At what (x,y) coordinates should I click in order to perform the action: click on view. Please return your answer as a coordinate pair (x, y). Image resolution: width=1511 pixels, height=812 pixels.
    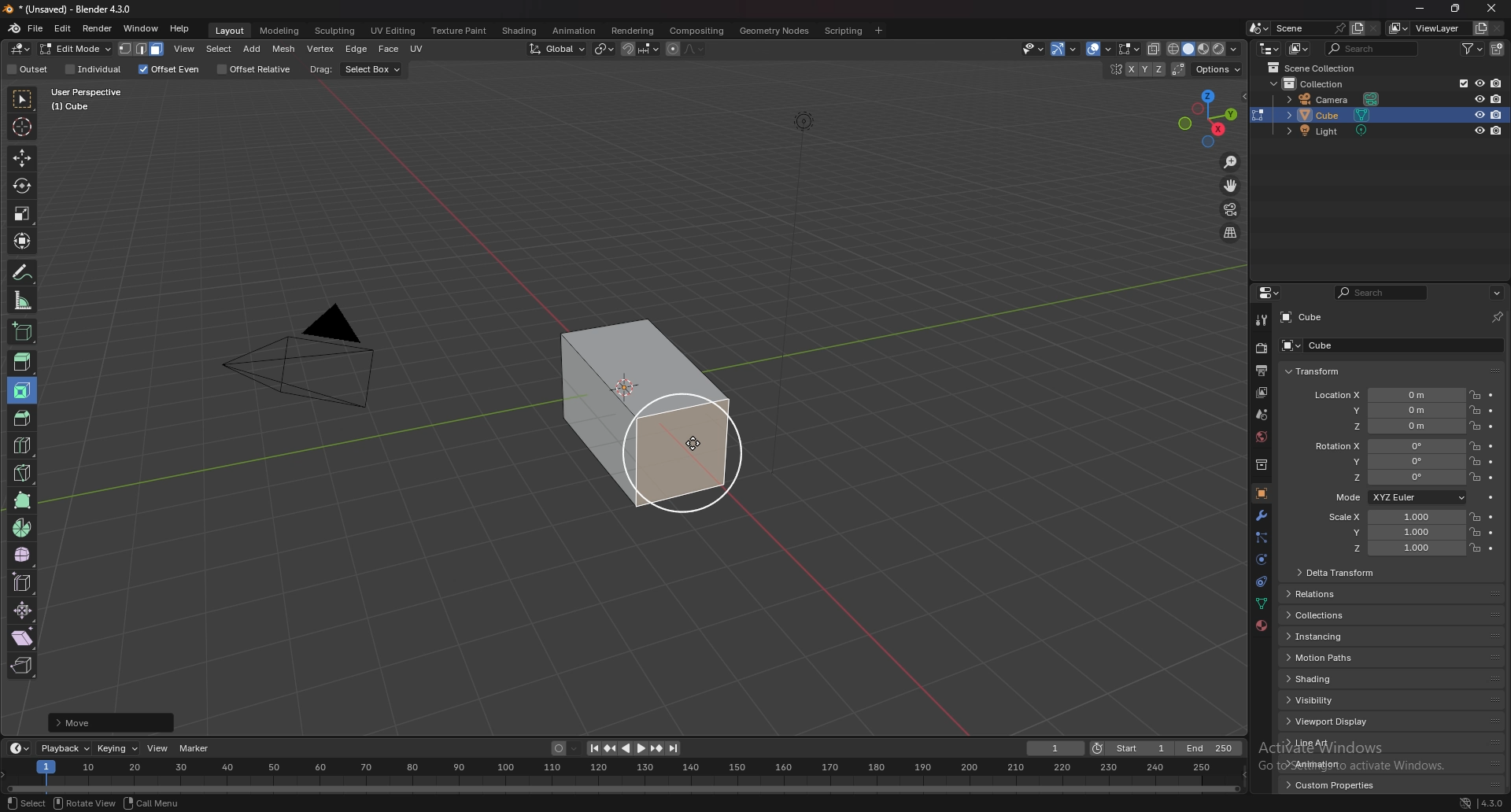
    Looking at the image, I should click on (185, 49).